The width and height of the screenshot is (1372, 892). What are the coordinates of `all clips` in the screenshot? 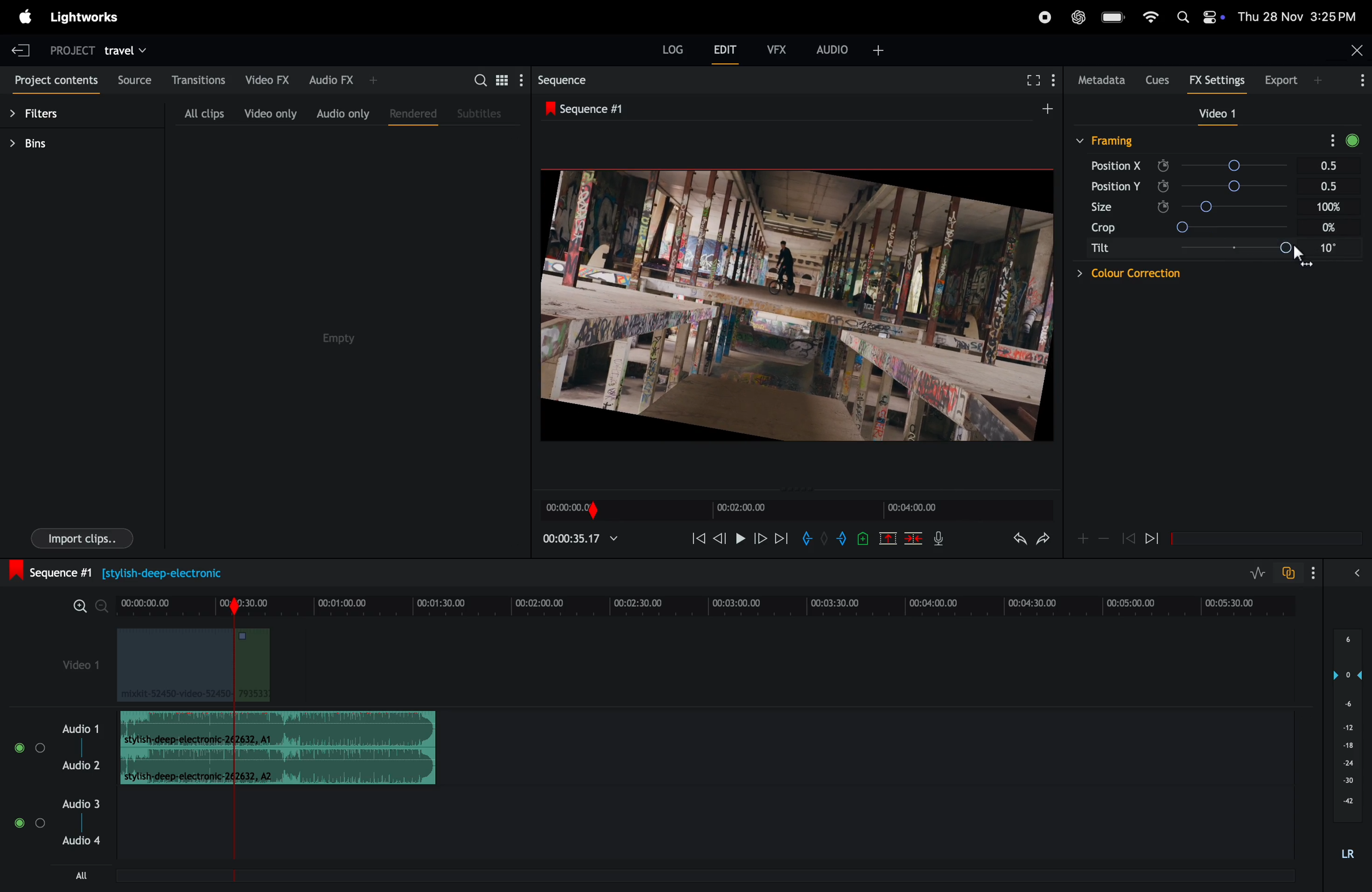 It's located at (195, 112).